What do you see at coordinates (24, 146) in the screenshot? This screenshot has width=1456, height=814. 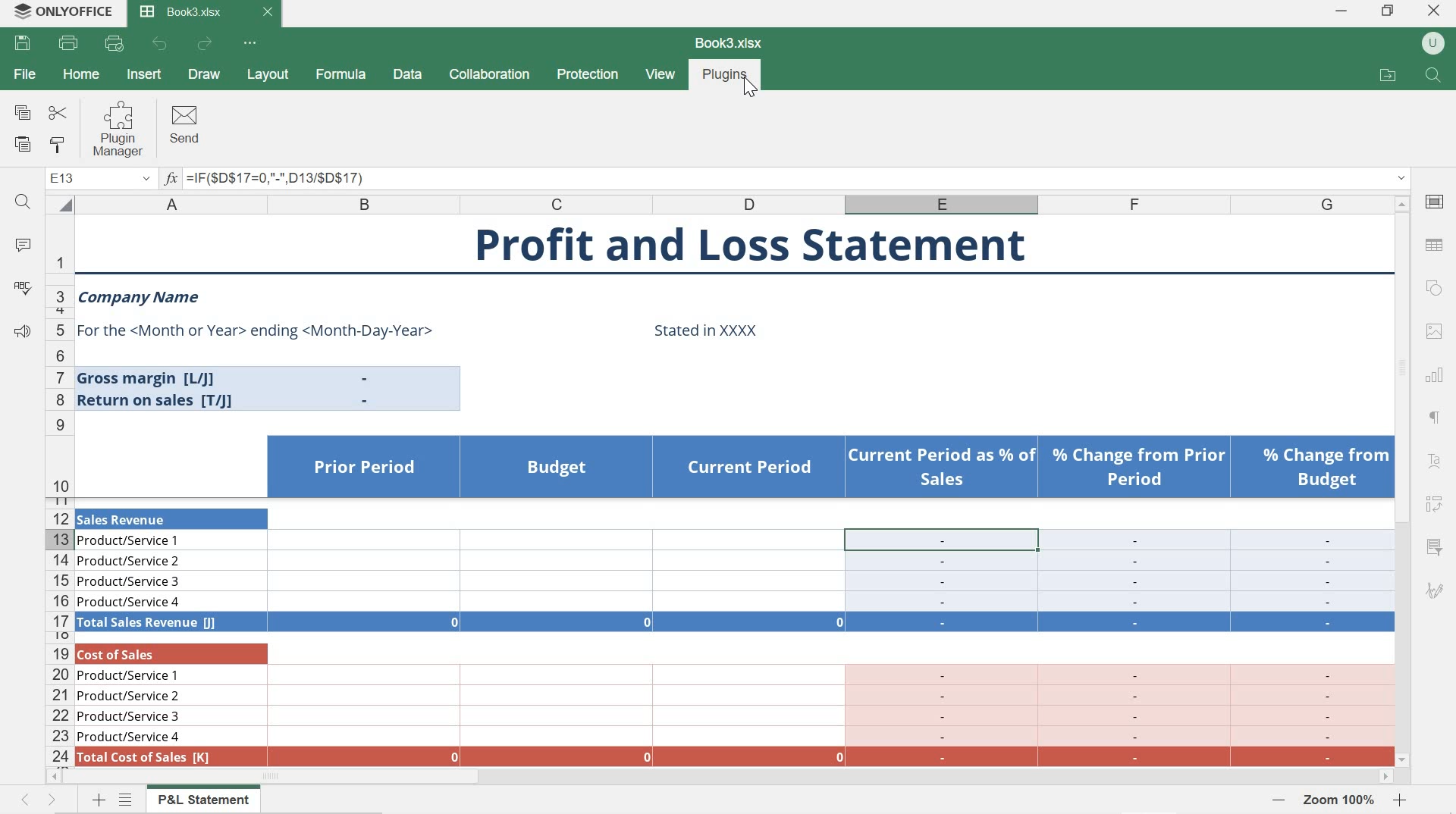 I see `paste` at bounding box center [24, 146].